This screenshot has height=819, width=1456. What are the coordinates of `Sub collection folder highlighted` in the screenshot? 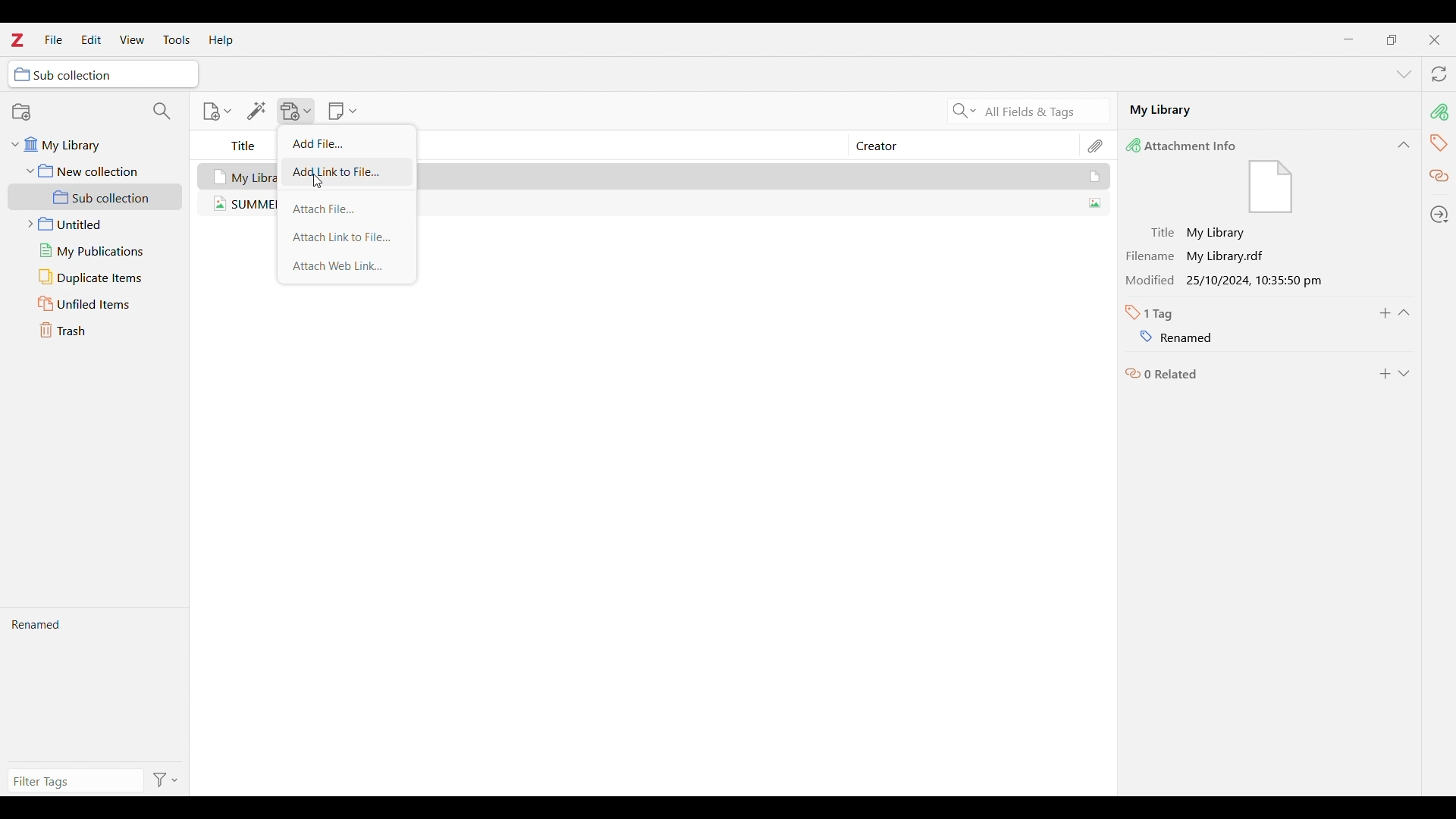 It's located at (96, 197).